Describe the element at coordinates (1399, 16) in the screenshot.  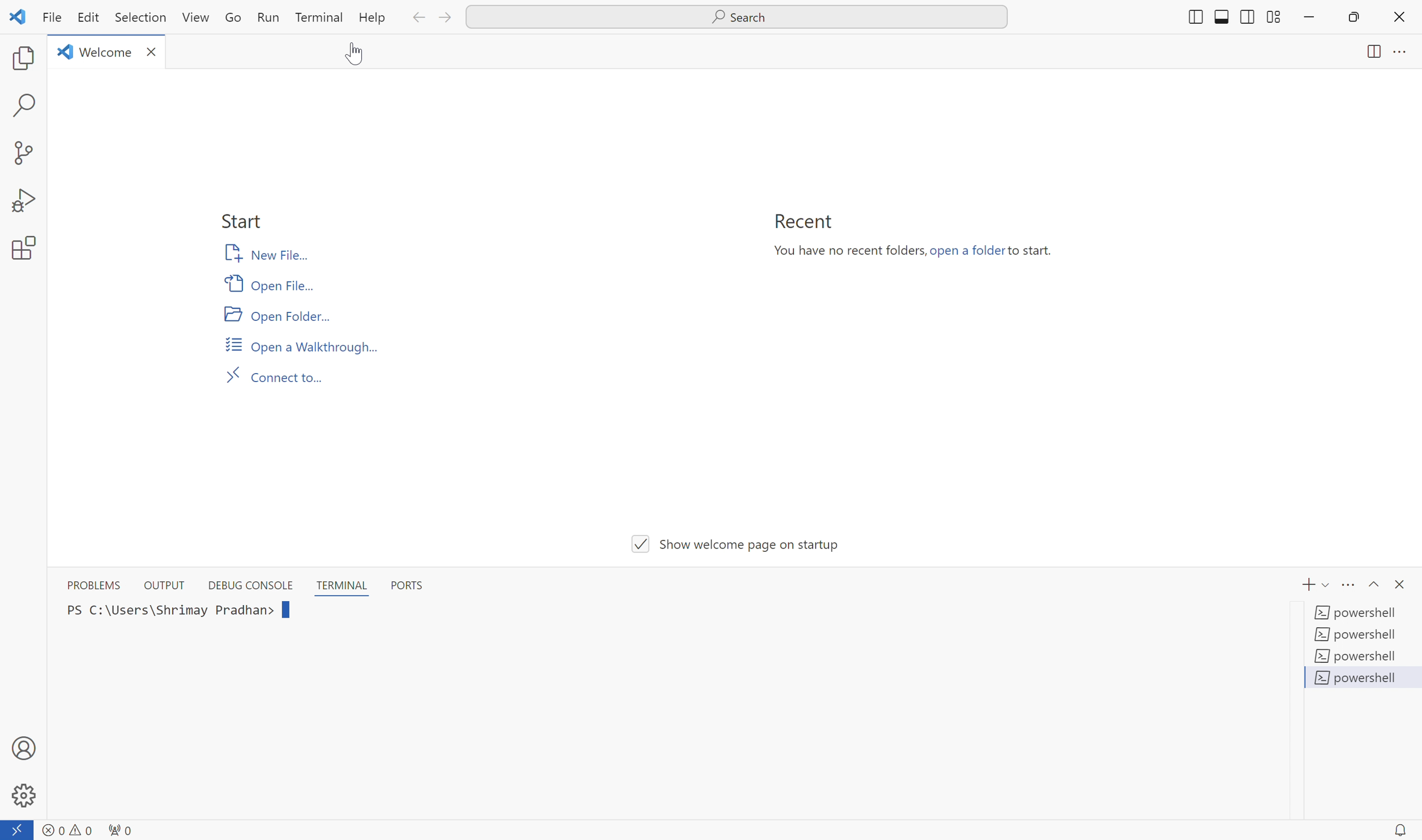
I see `close` at that location.